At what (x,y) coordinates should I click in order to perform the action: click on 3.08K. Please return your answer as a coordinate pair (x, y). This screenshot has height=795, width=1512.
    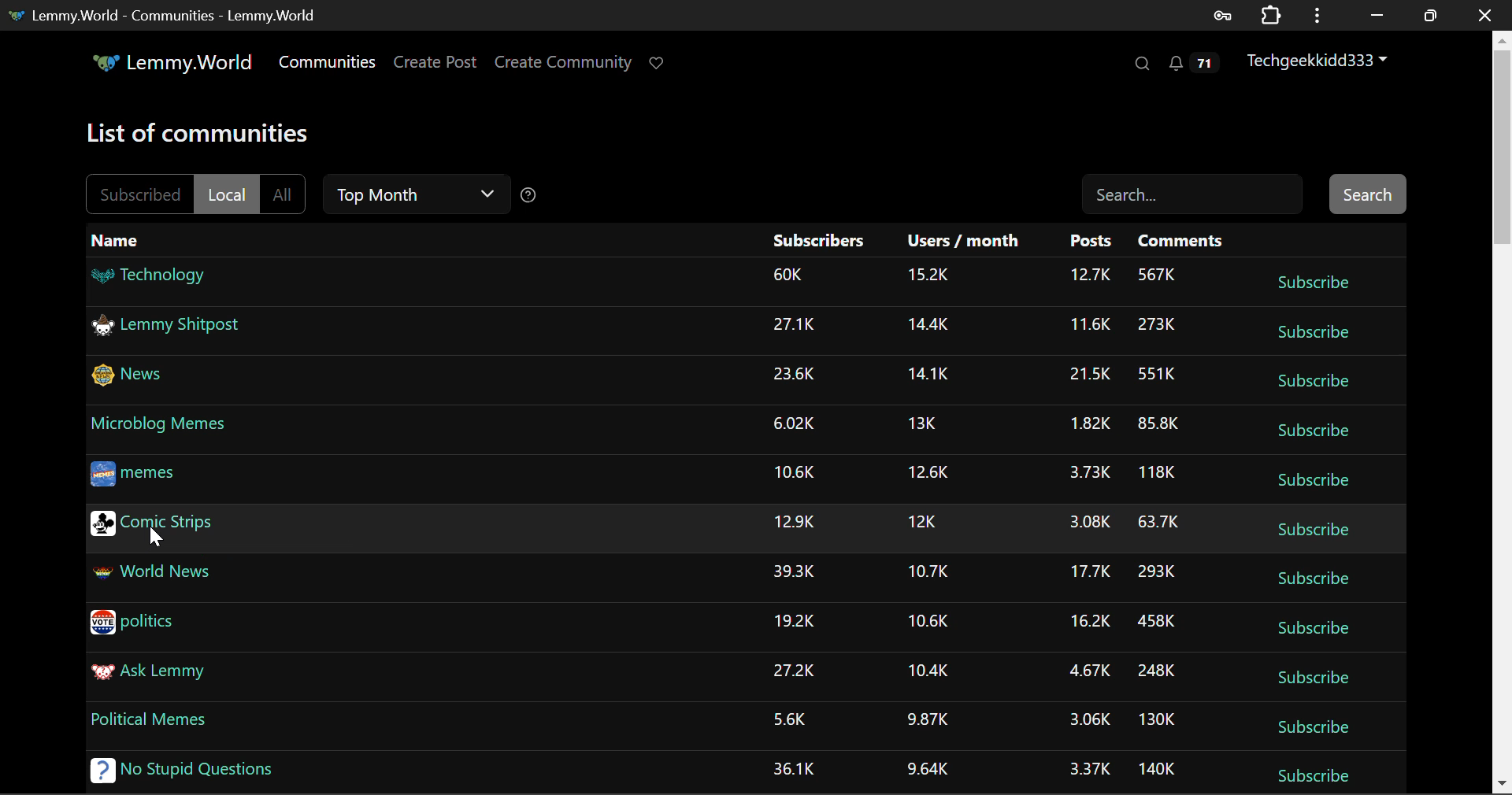
    Looking at the image, I should click on (1087, 524).